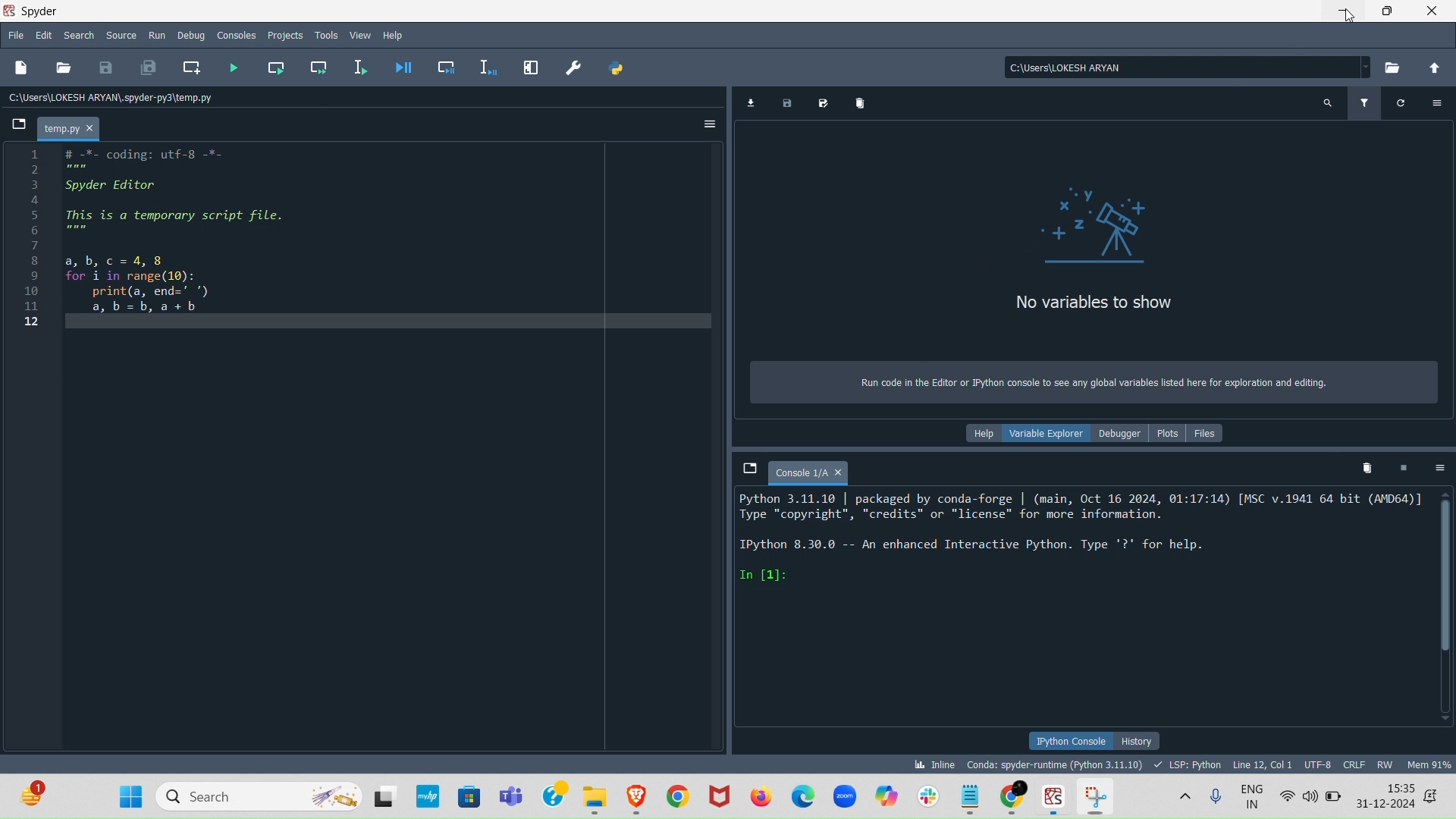 The image size is (1456, 819). Describe the element at coordinates (42, 33) in the screenshot. I see `Edit` at that location.